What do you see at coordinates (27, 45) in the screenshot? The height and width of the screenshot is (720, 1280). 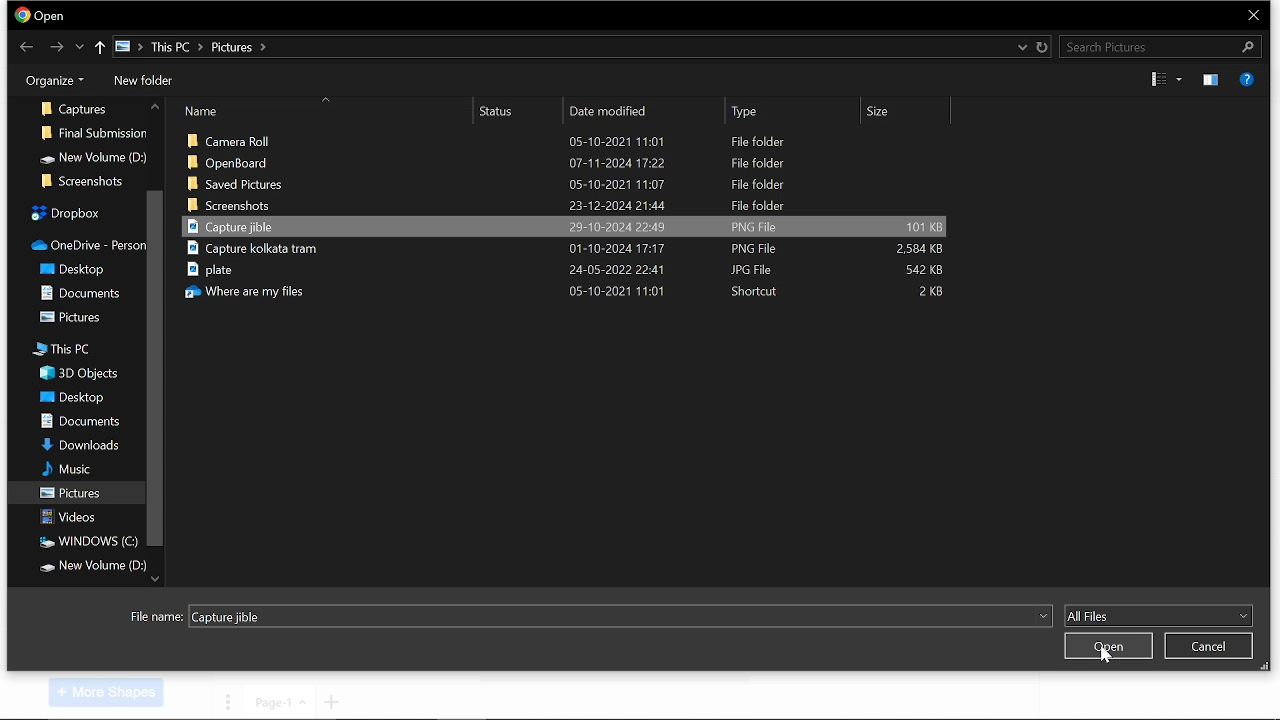 I see `previous` at bounding box center [27, 45].